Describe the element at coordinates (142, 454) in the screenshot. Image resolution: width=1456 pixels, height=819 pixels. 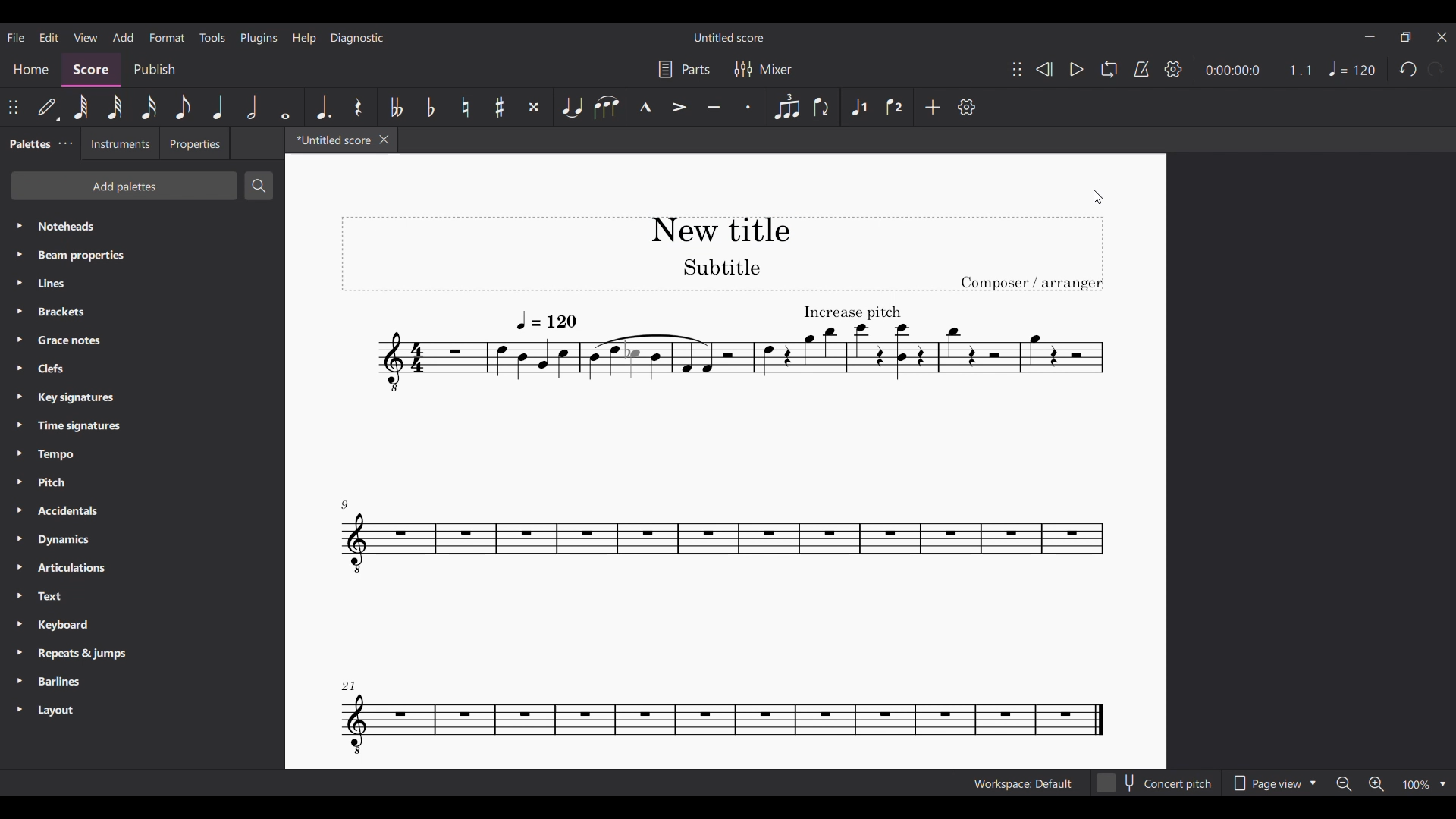
I see `Tempo` at that location.